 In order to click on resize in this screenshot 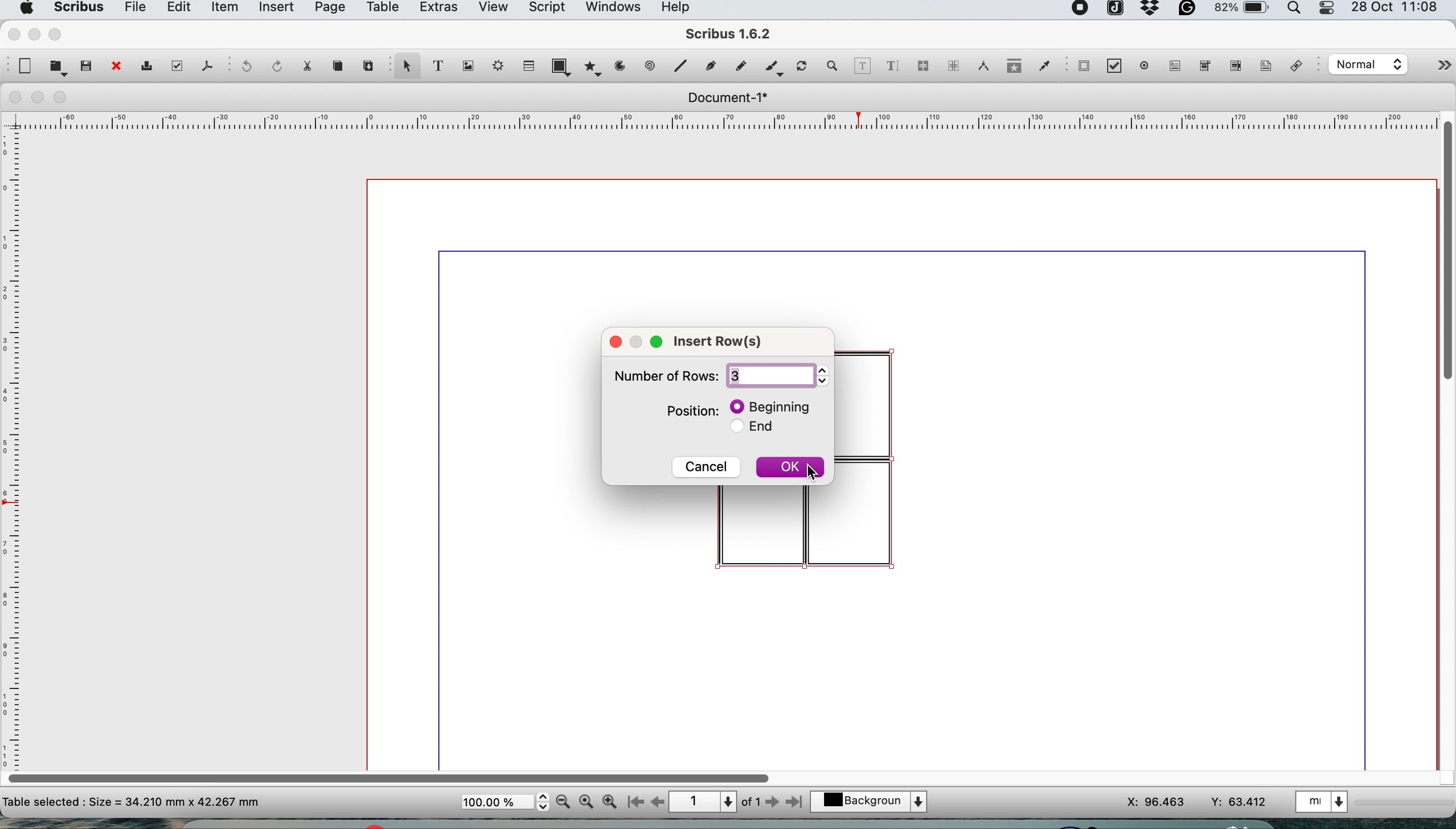, I will do `click(639, 339)`.